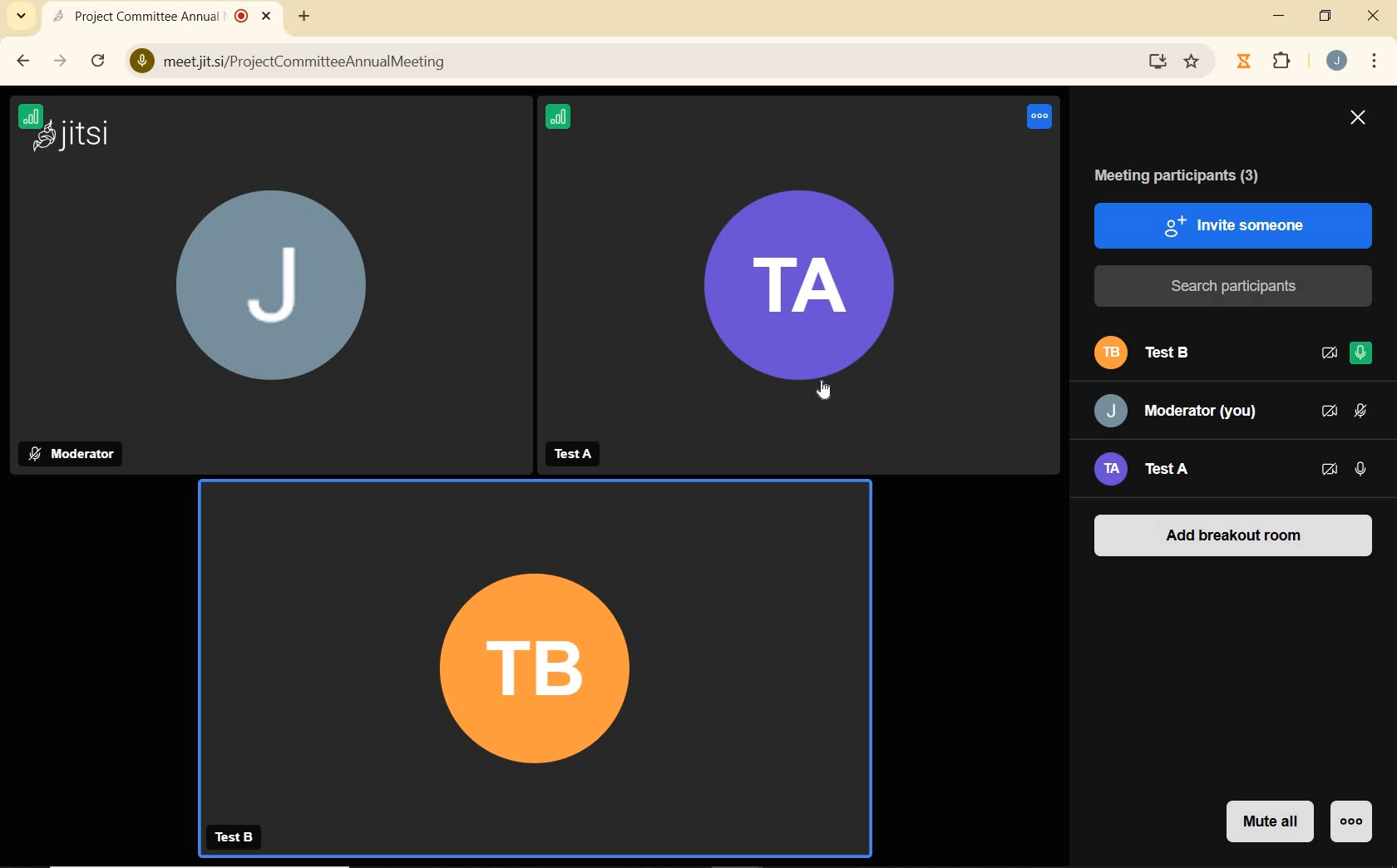 Image resolution: width=1397 pixels, height=868 pixels. Describe the element at coordinates (1193, 59) in the screenshot. I see `Favorite` at that location.